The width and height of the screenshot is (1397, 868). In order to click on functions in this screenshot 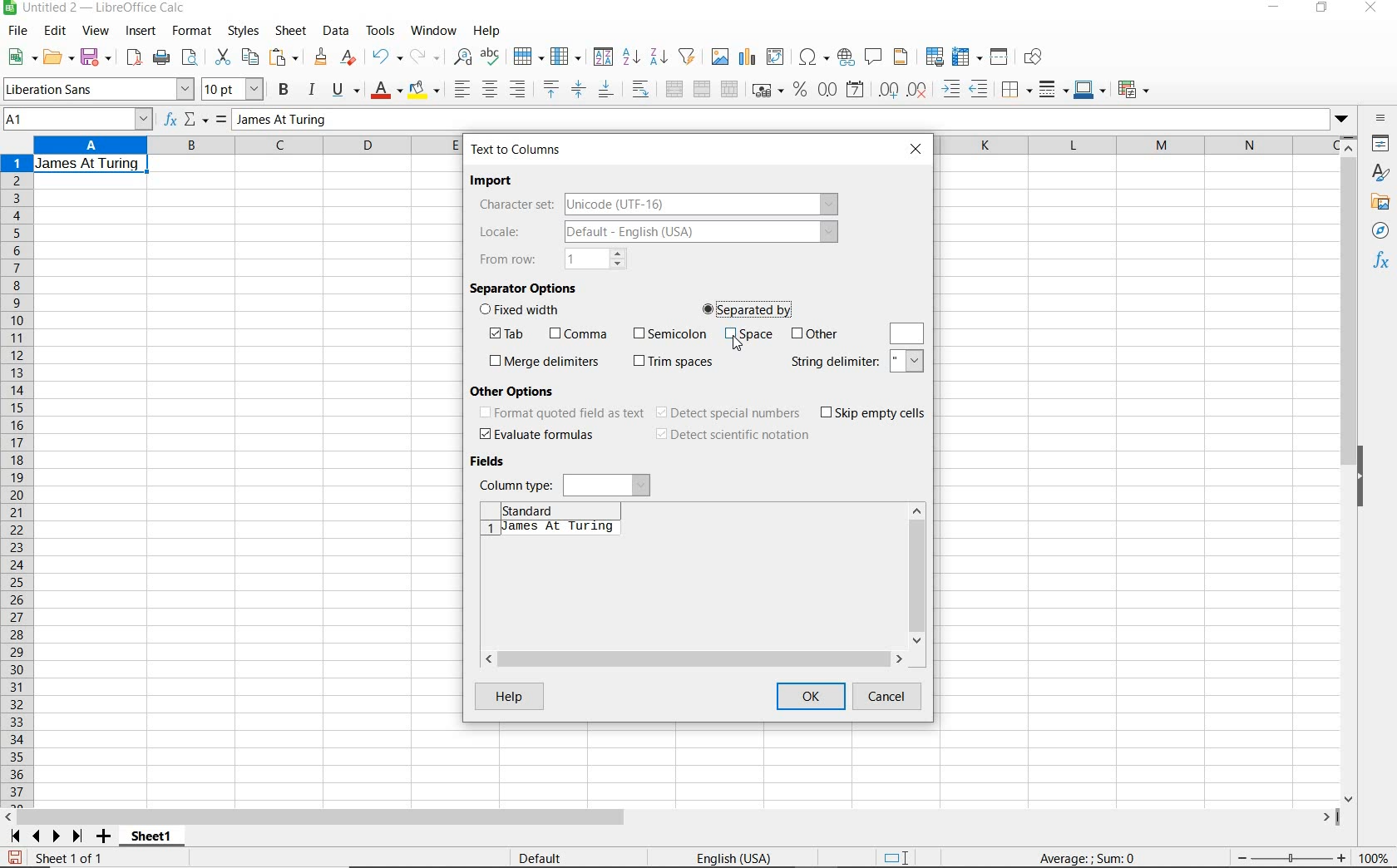, I will do `click(1382, 262)`.